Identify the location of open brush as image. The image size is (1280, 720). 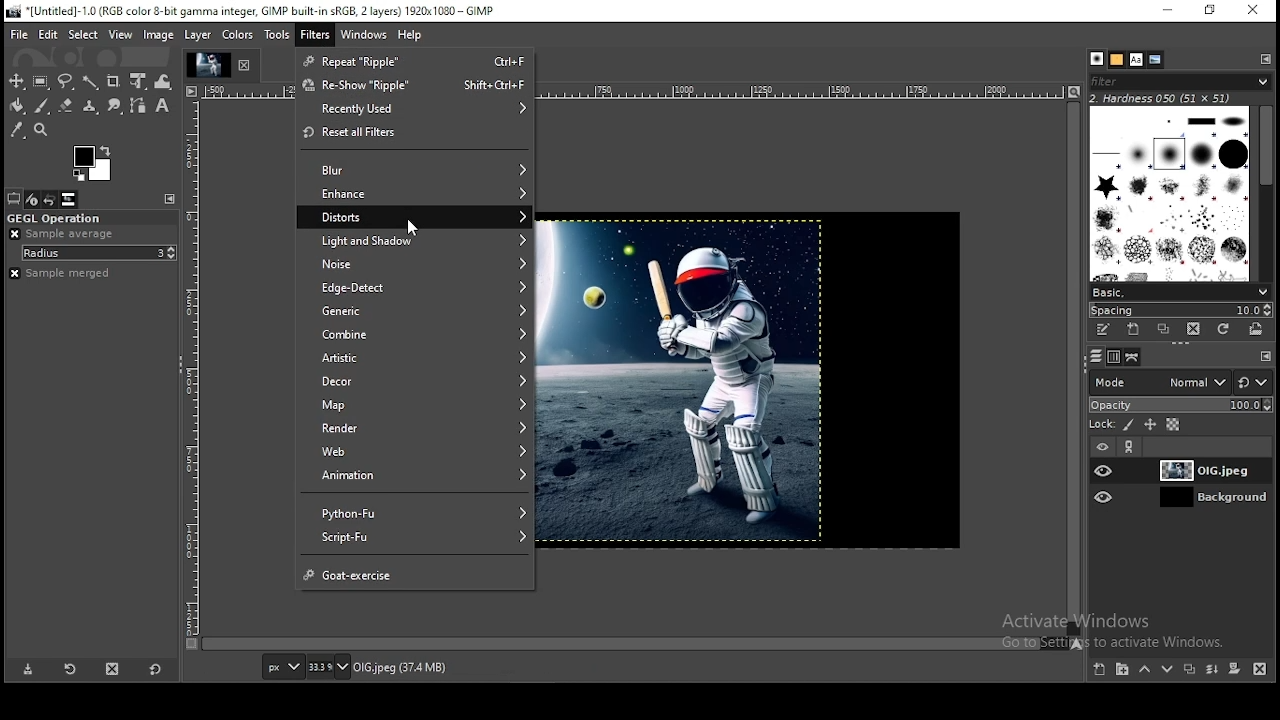
(1257, 330).